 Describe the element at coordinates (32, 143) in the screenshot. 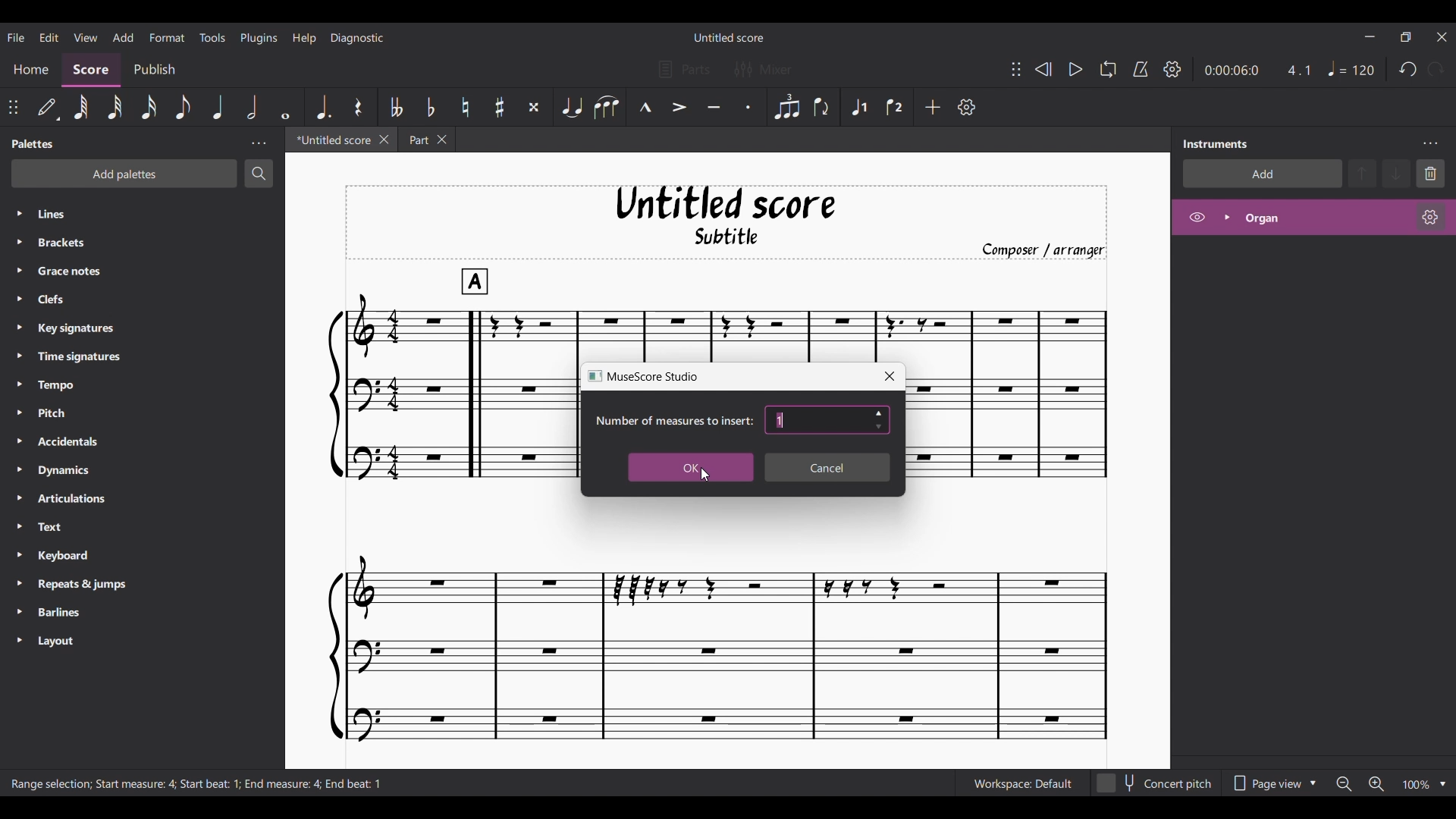

I see `Panel title` at that location.